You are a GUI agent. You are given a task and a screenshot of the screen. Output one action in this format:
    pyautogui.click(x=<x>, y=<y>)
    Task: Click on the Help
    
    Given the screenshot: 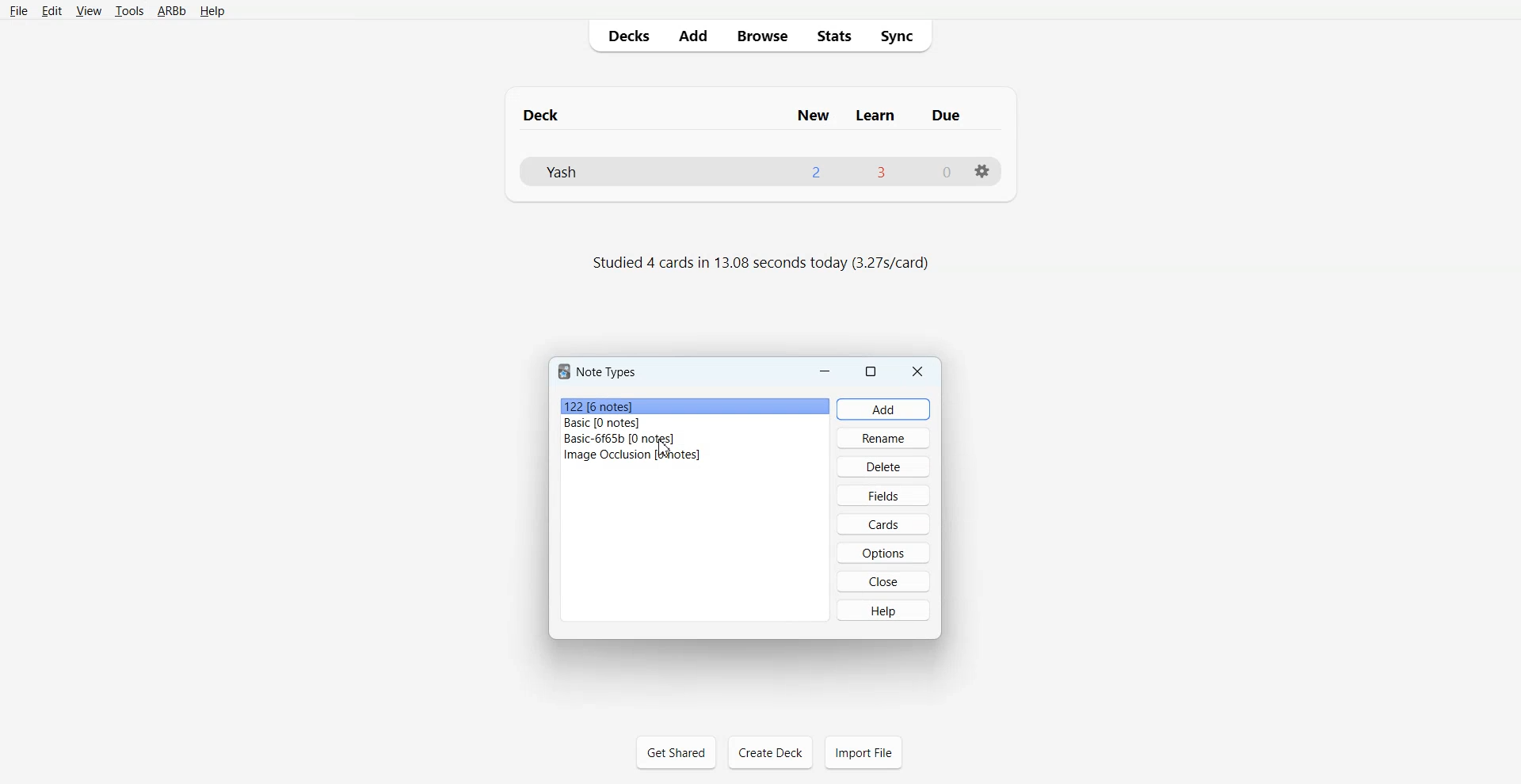 What is the action you would take?
    pyautogui.click(x=882, y=609)
    